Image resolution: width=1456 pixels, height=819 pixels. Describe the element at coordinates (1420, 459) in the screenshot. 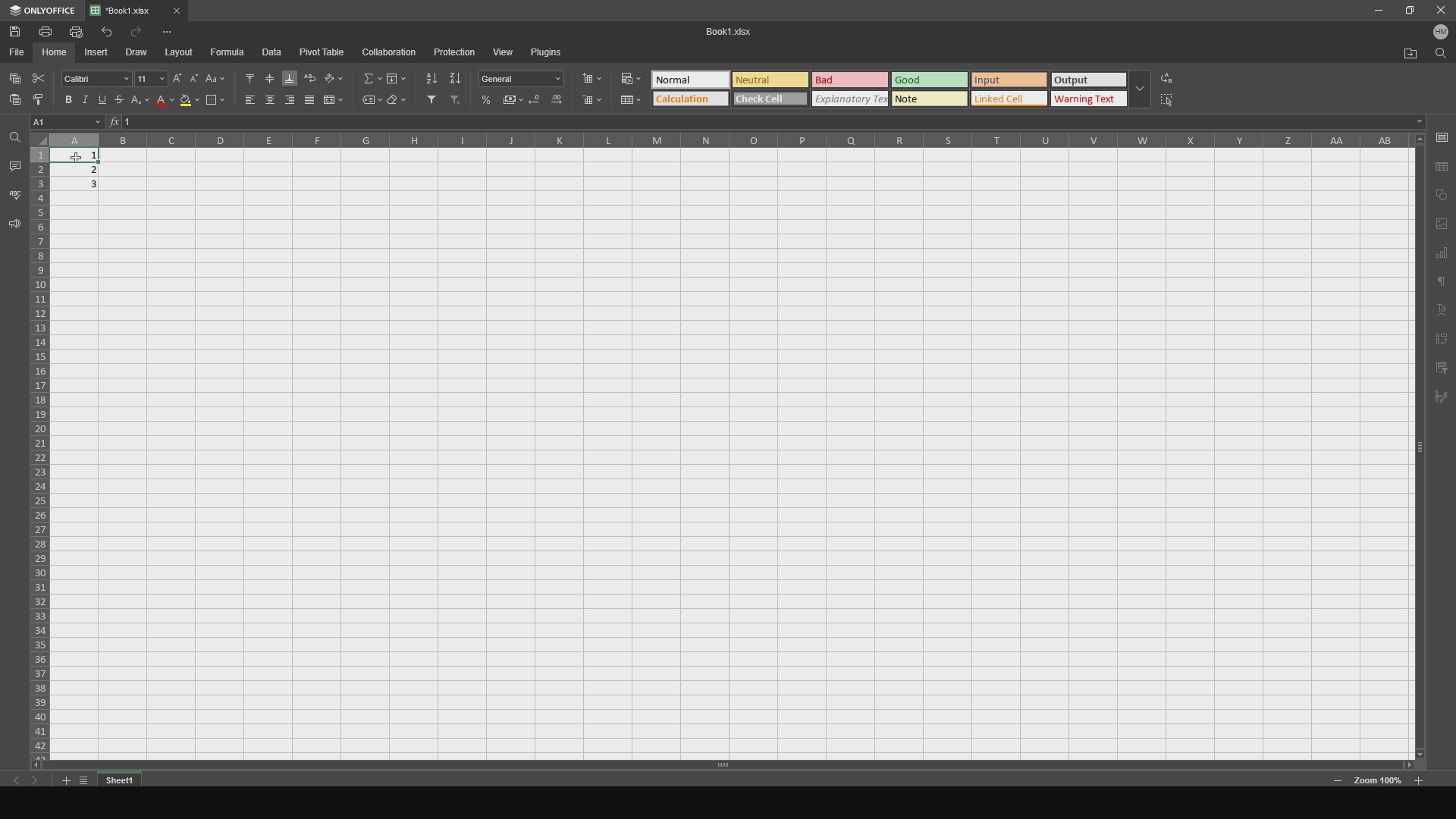

I see `vertical slider` at that location.